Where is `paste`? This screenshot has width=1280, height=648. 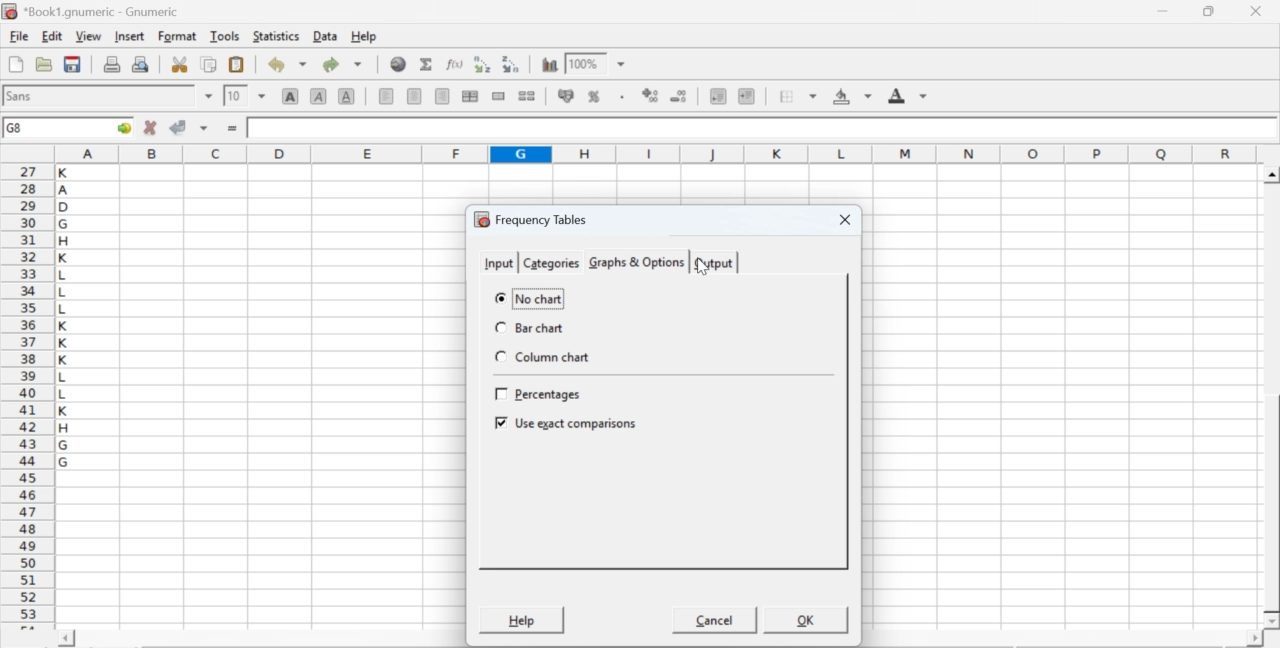
paste is located at coordinates (238, 65).